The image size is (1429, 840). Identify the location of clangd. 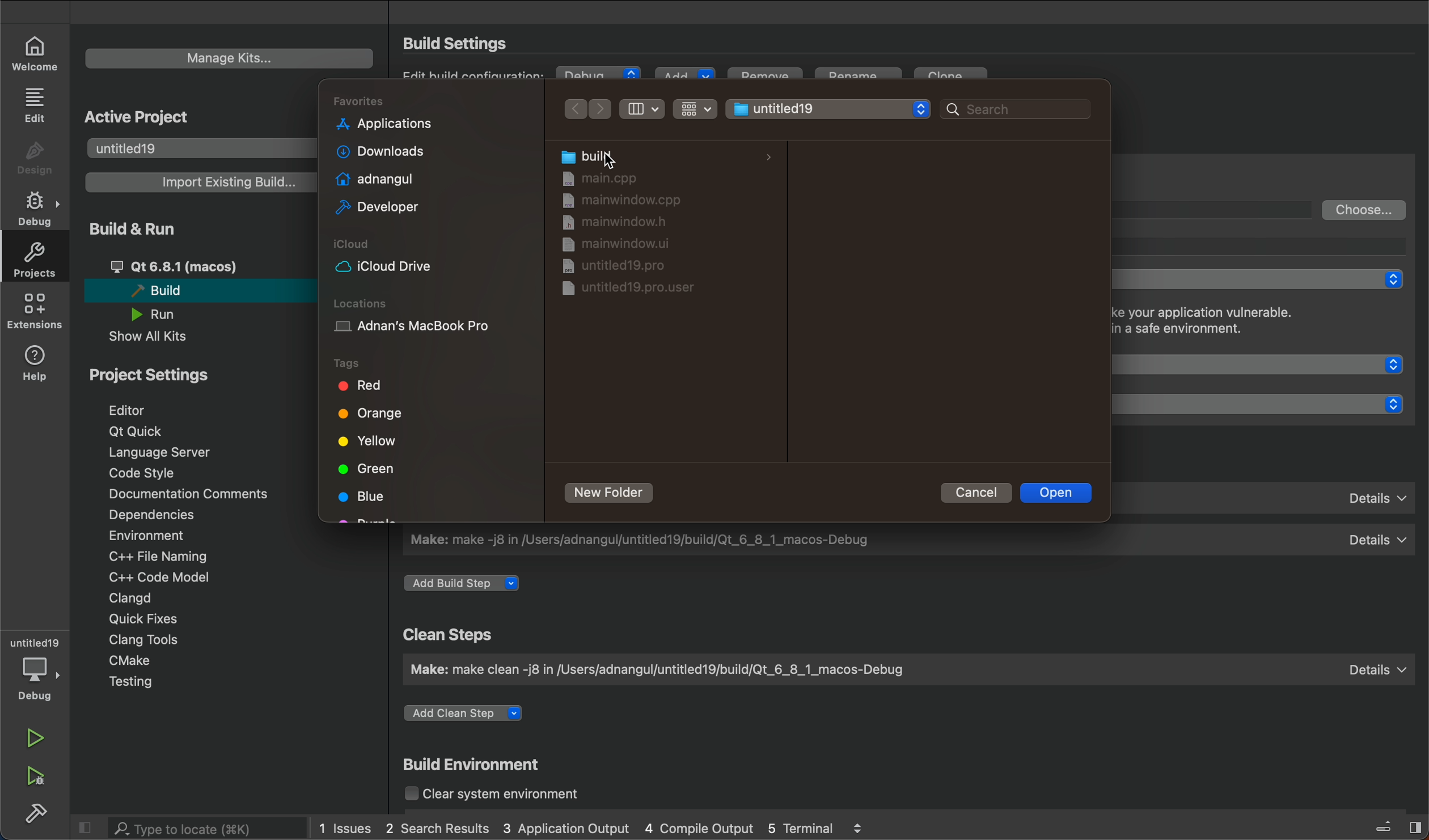
(130, 598).